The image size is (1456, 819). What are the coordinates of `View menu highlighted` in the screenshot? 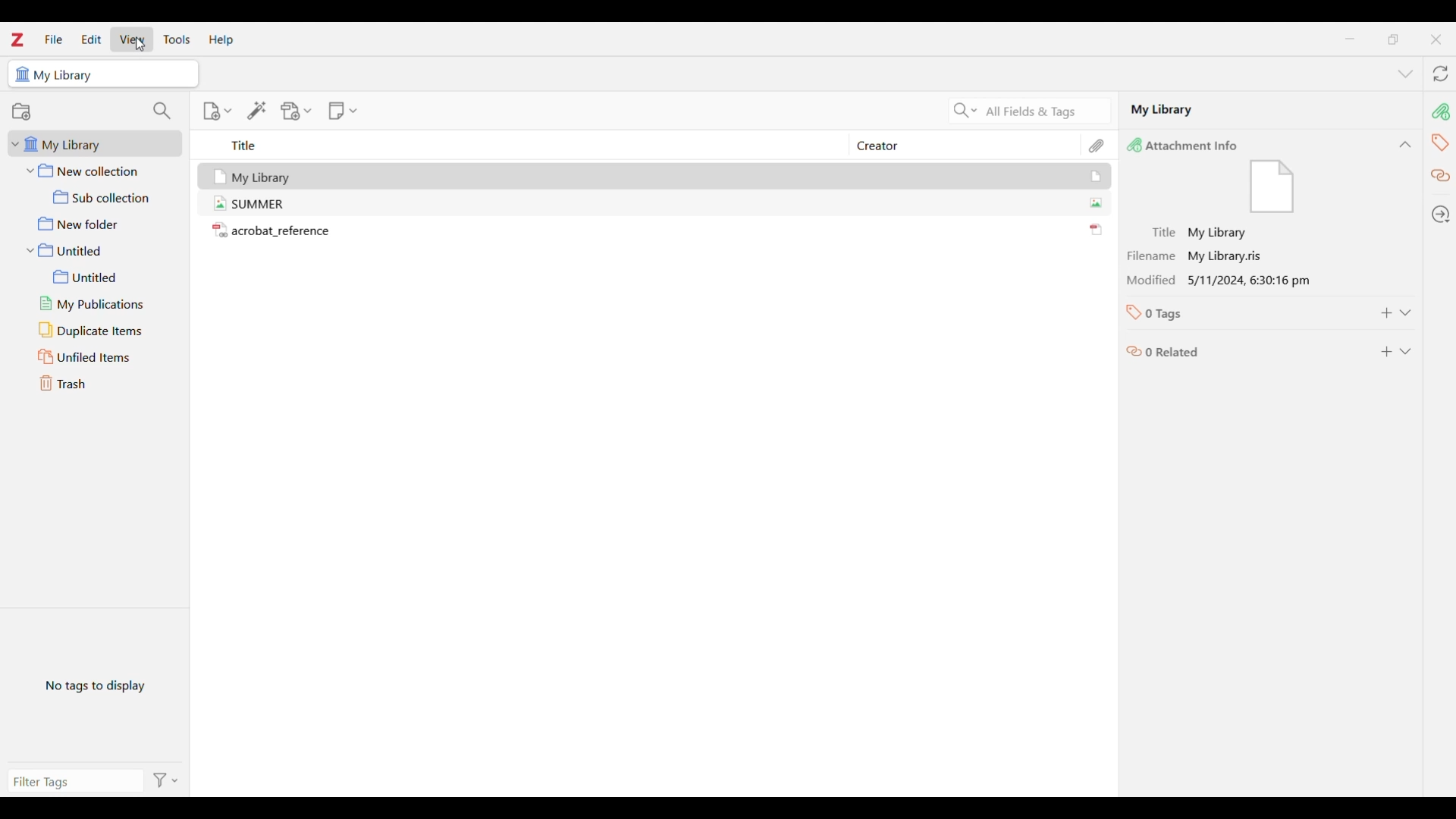 It's located at (133, 39).